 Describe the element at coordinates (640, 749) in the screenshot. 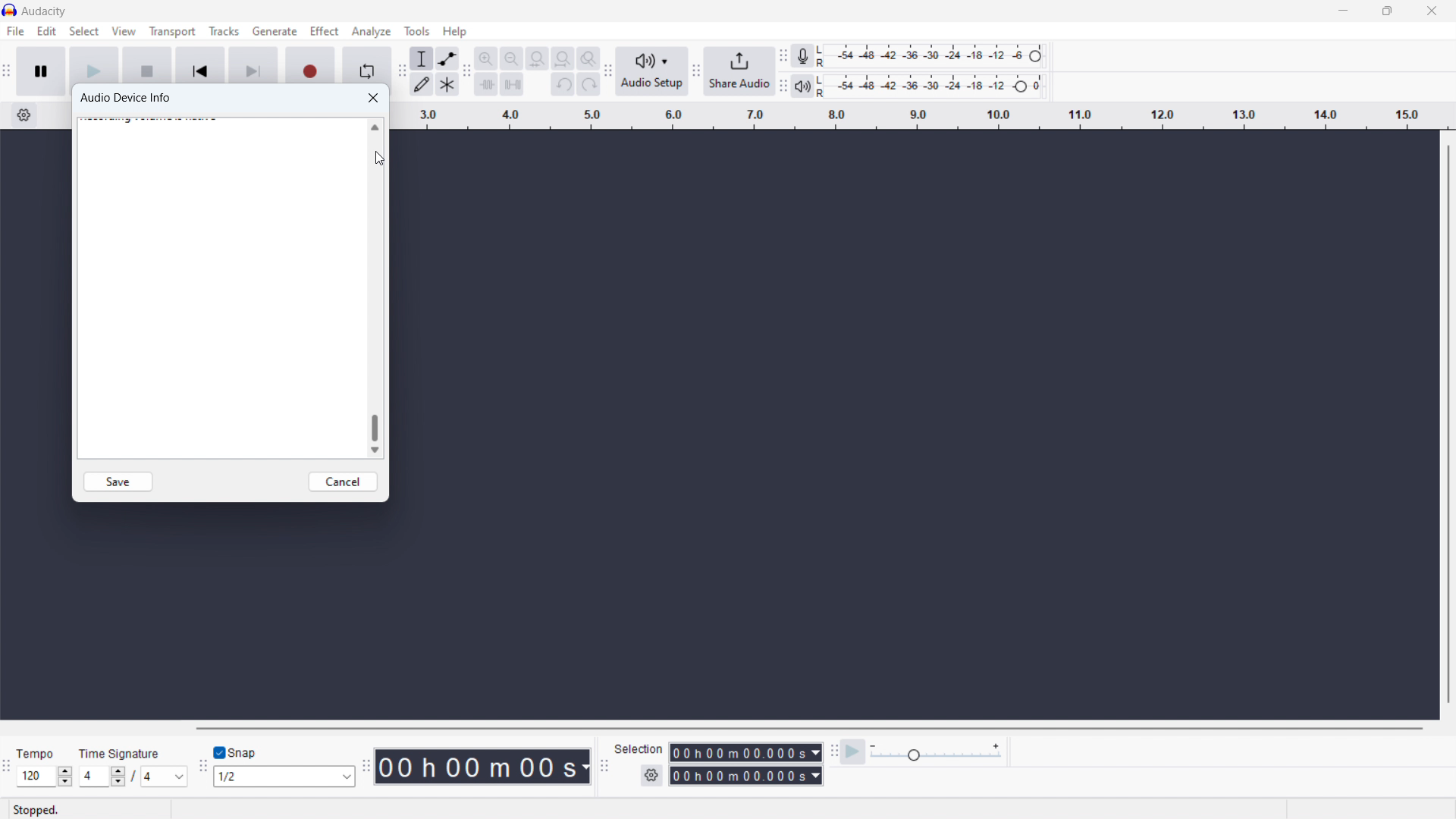

I see `Selection` at that location.